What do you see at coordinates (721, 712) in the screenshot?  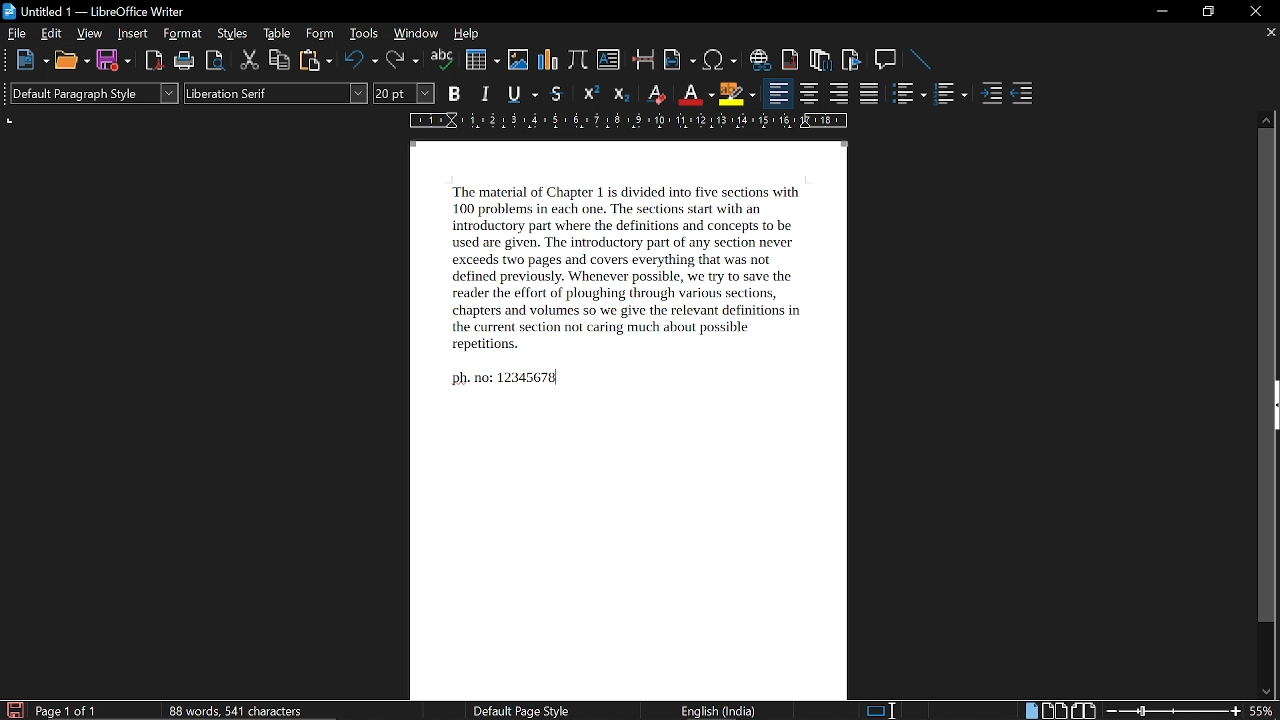 I see `English (India)` at bounding box center [721, 712].